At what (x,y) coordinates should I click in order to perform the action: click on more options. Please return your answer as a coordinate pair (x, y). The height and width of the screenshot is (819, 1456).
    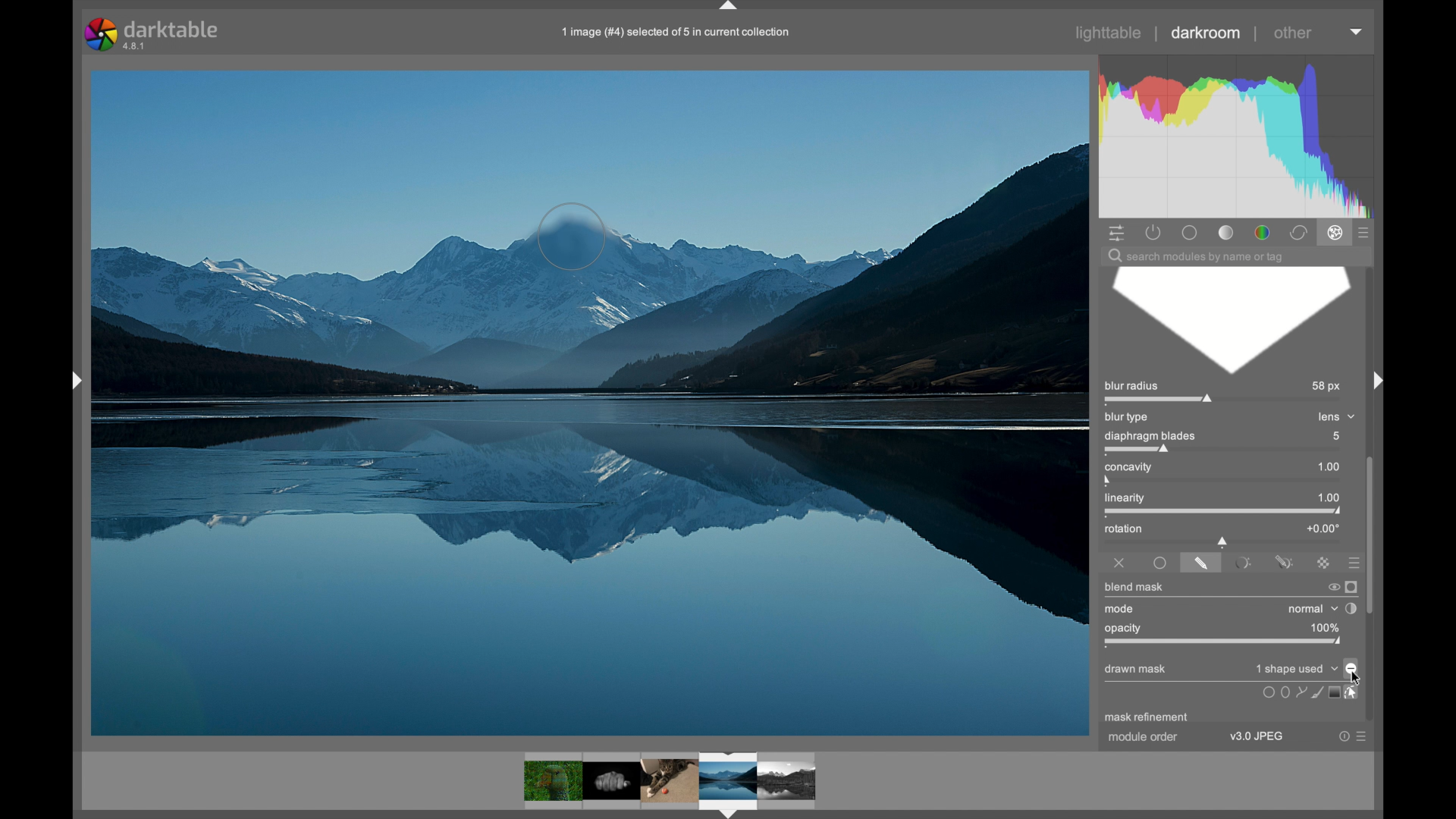
    Looking at the image, I should click on (1360, 738).